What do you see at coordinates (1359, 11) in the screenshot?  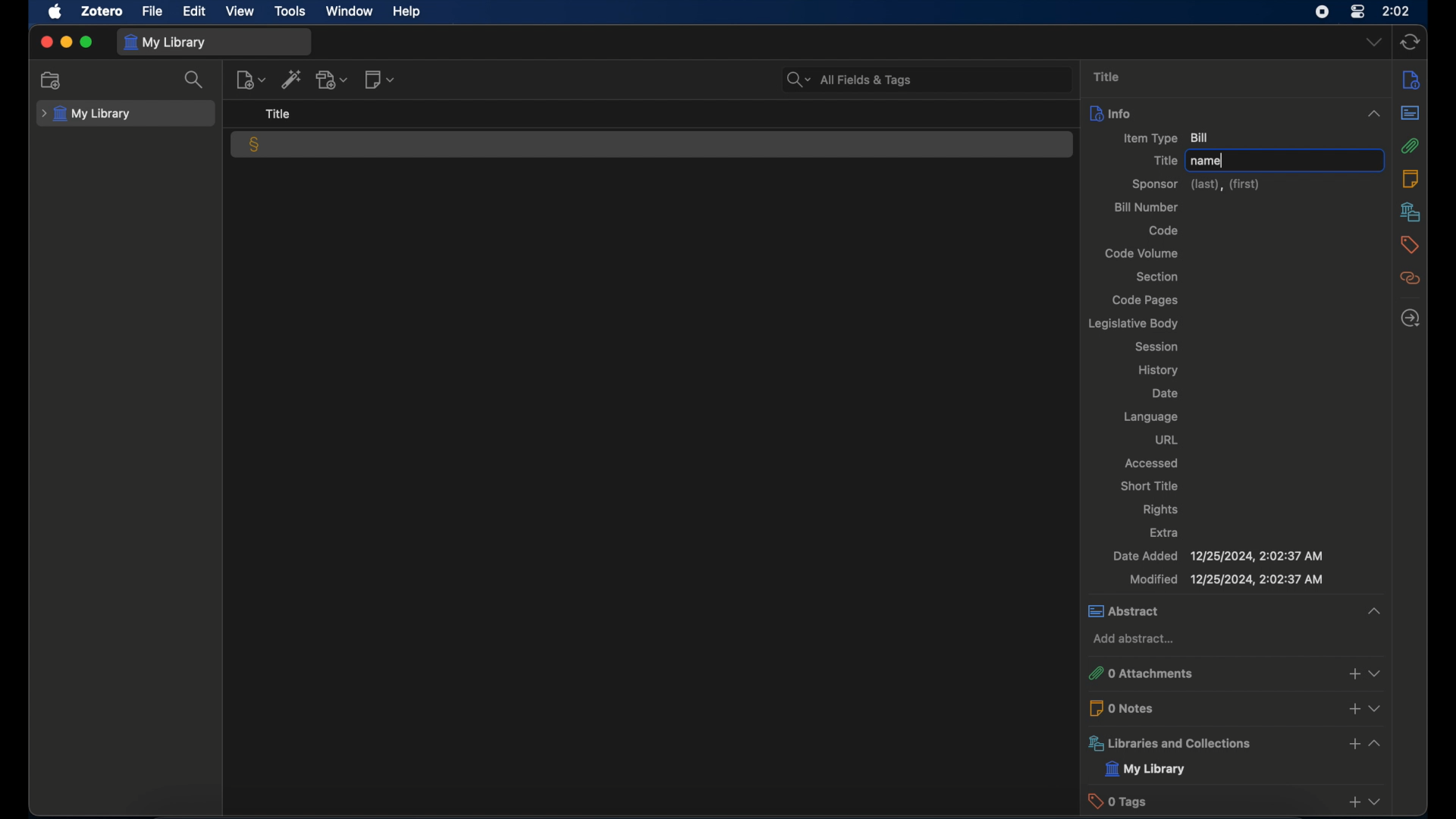 I see `control center` at bounding box center [1359, 11].